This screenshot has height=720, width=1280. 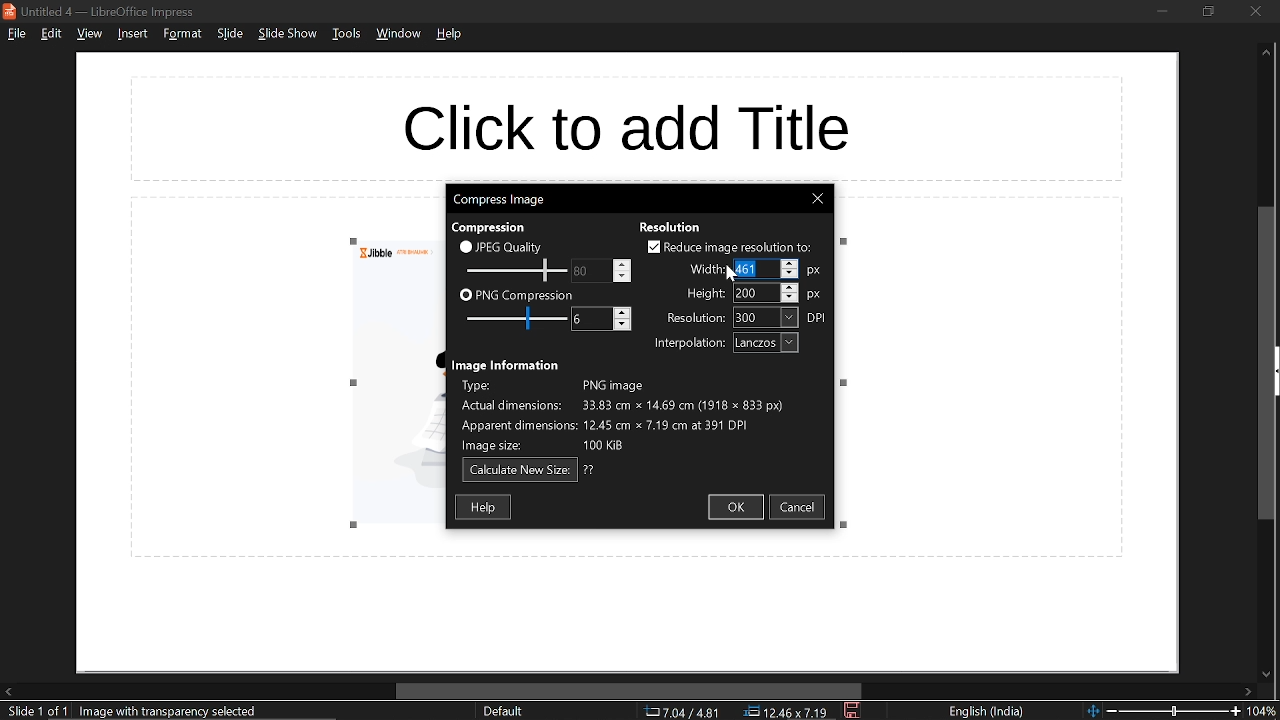 I want to click on file, so click(x=16, y=35).